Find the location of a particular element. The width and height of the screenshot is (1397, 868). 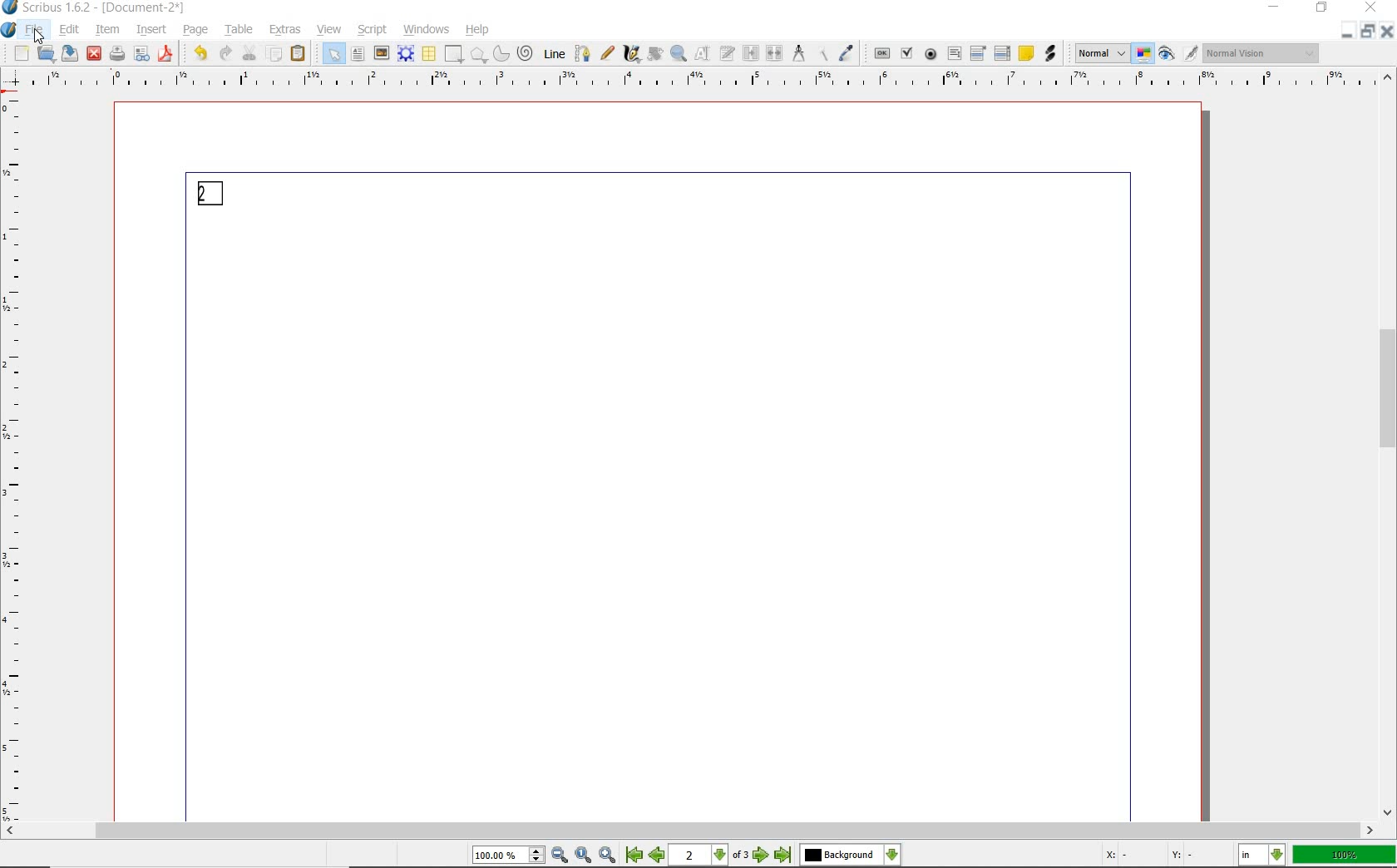

Last Page is located at coordinates (784, 856).